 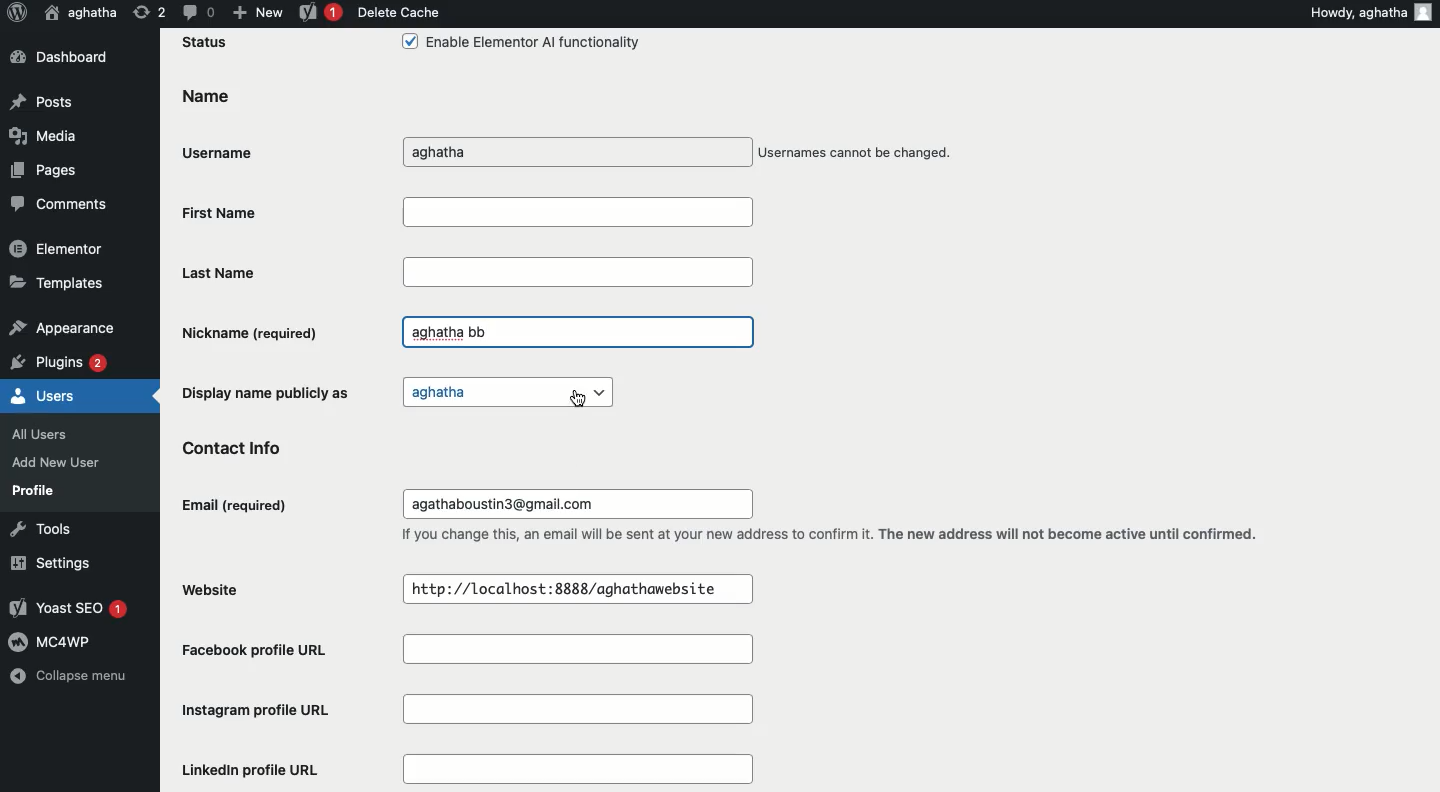 I want to click on Elementor, so click(x=58, y=247).